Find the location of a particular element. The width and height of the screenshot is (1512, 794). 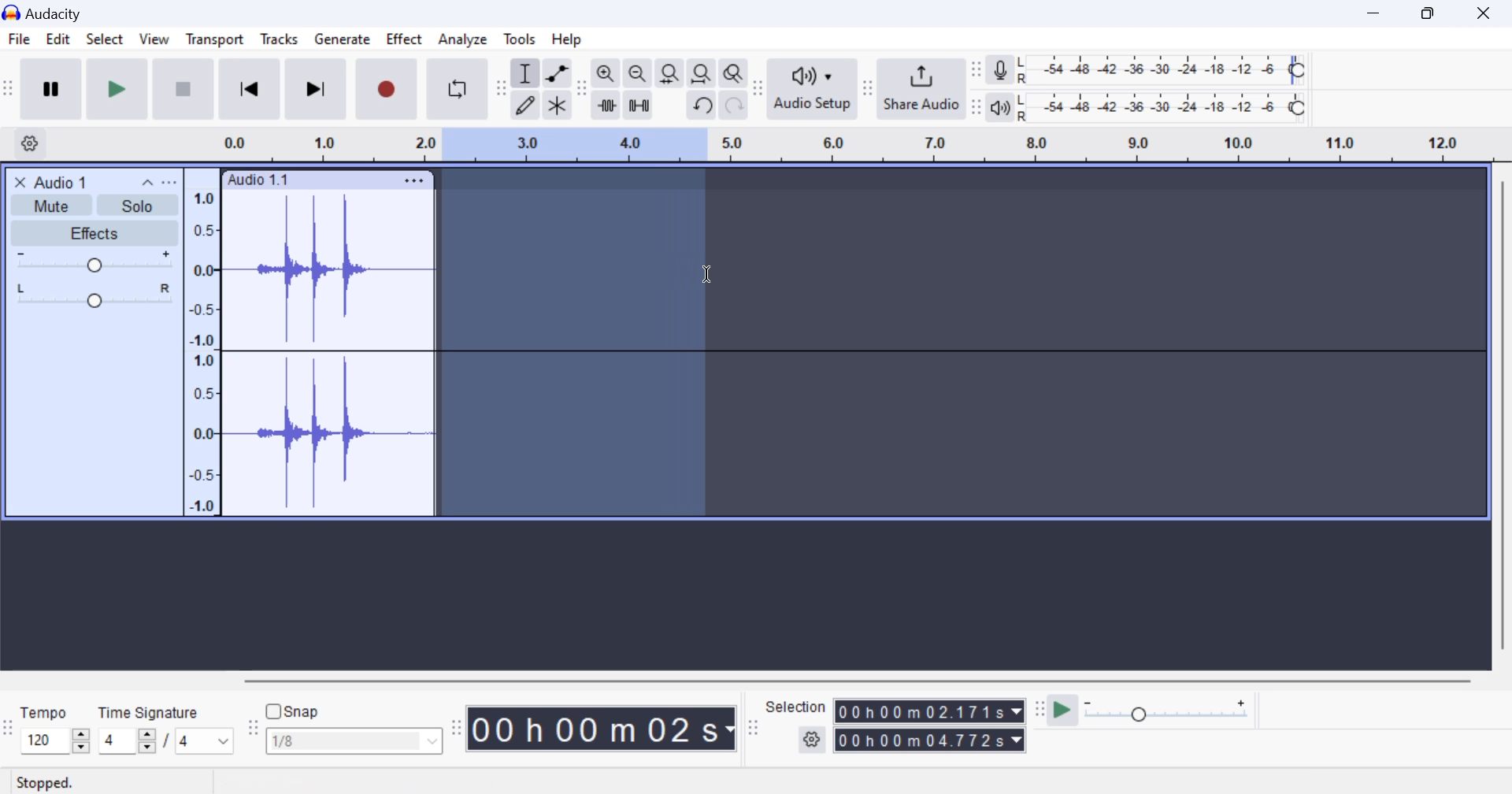

Change position of respective level is located at coordinates (977, 88).